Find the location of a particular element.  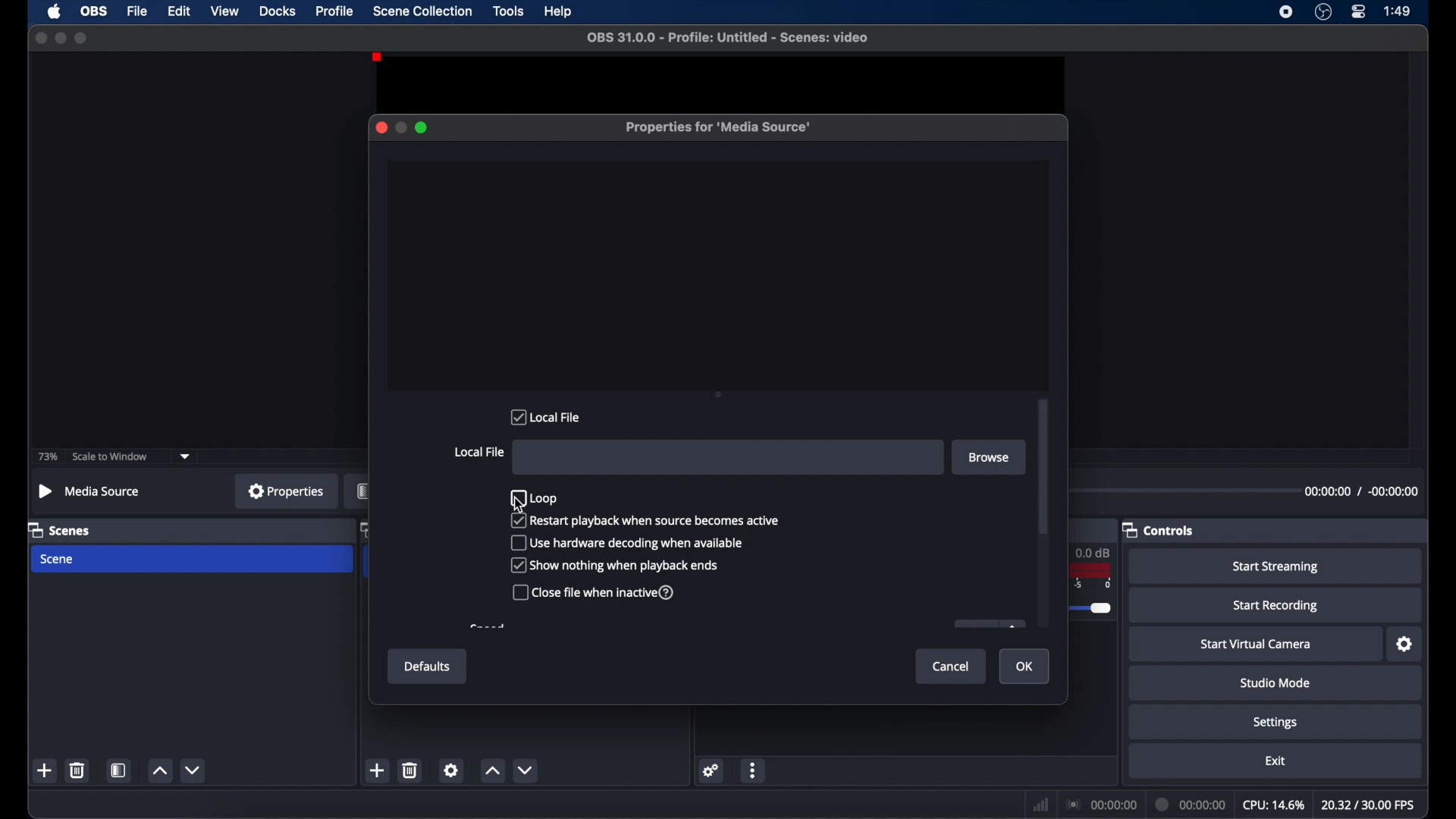

scene is located at coordinates (59, 560).